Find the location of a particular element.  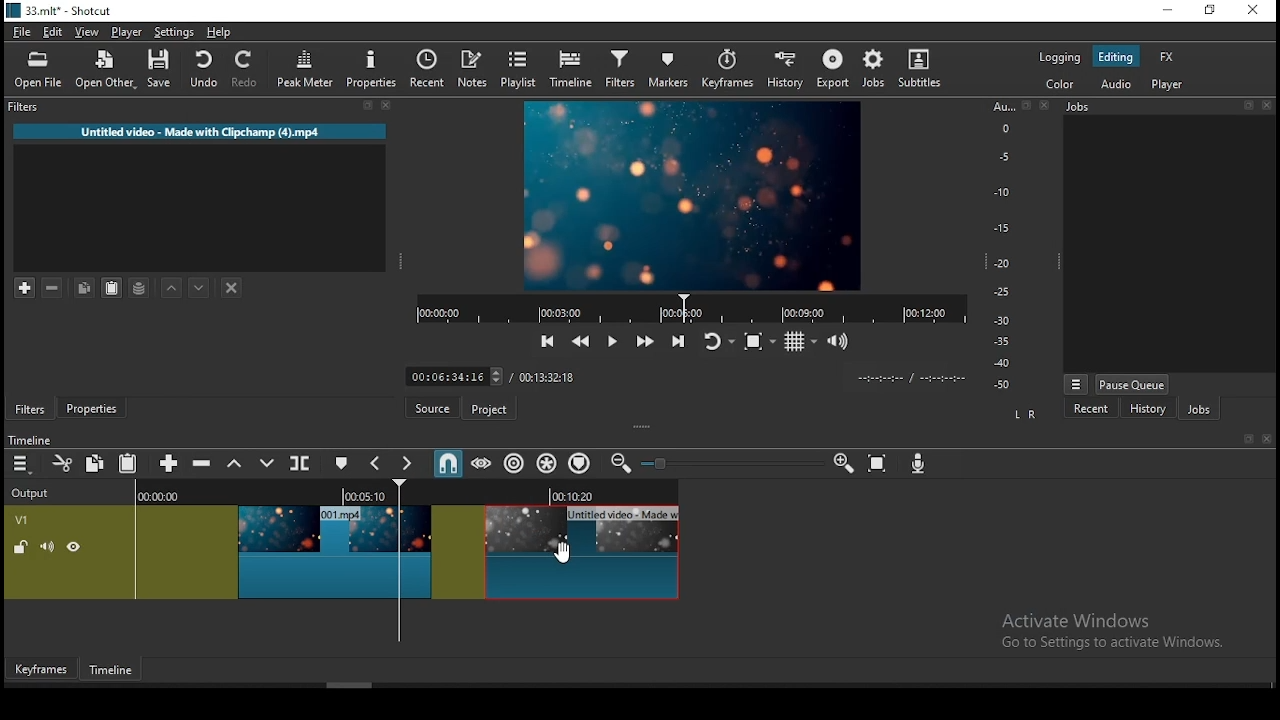

open file is located at coordinates (43, 72).